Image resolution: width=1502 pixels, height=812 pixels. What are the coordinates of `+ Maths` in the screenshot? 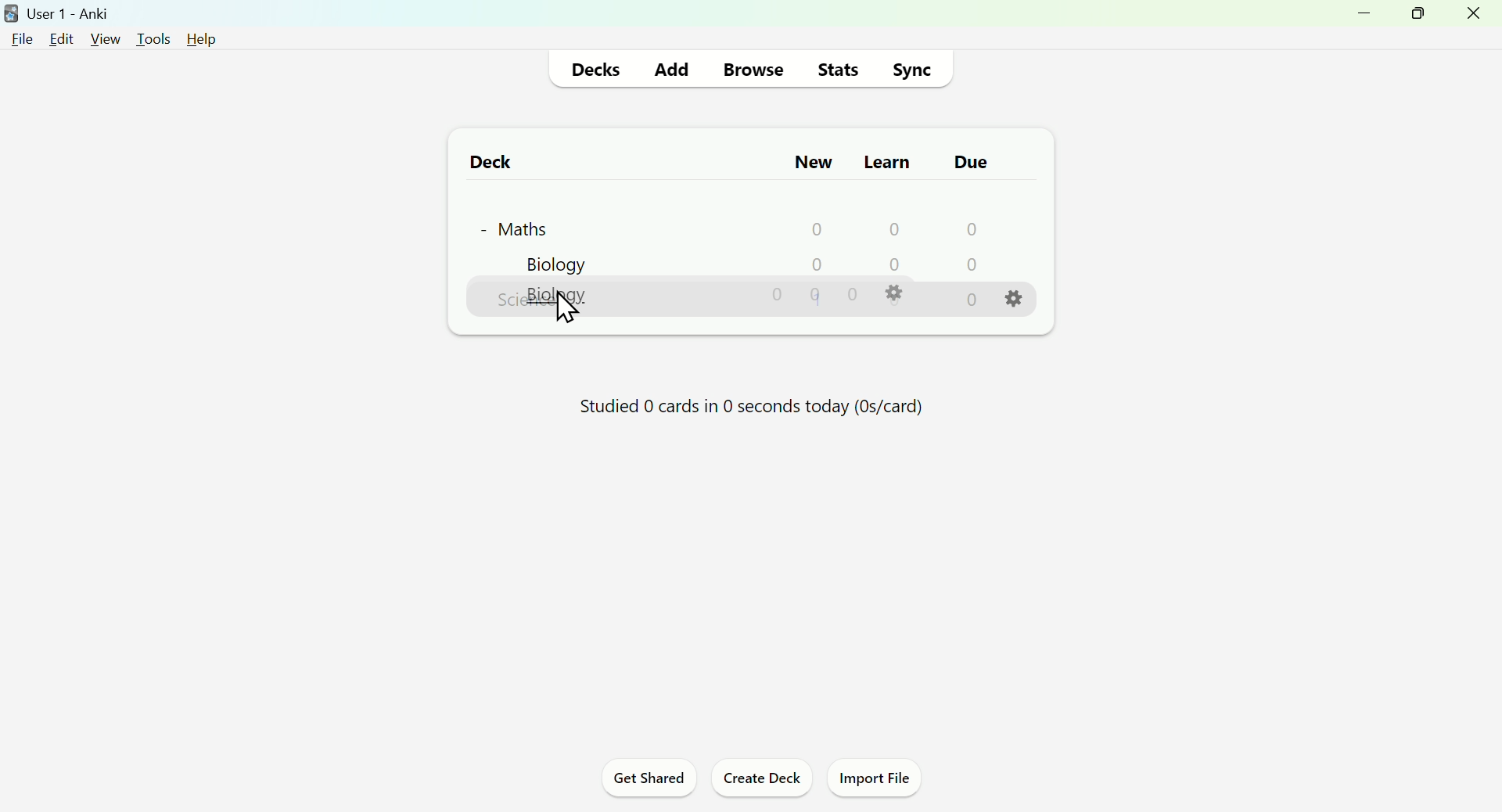 It's located at (524, 228).